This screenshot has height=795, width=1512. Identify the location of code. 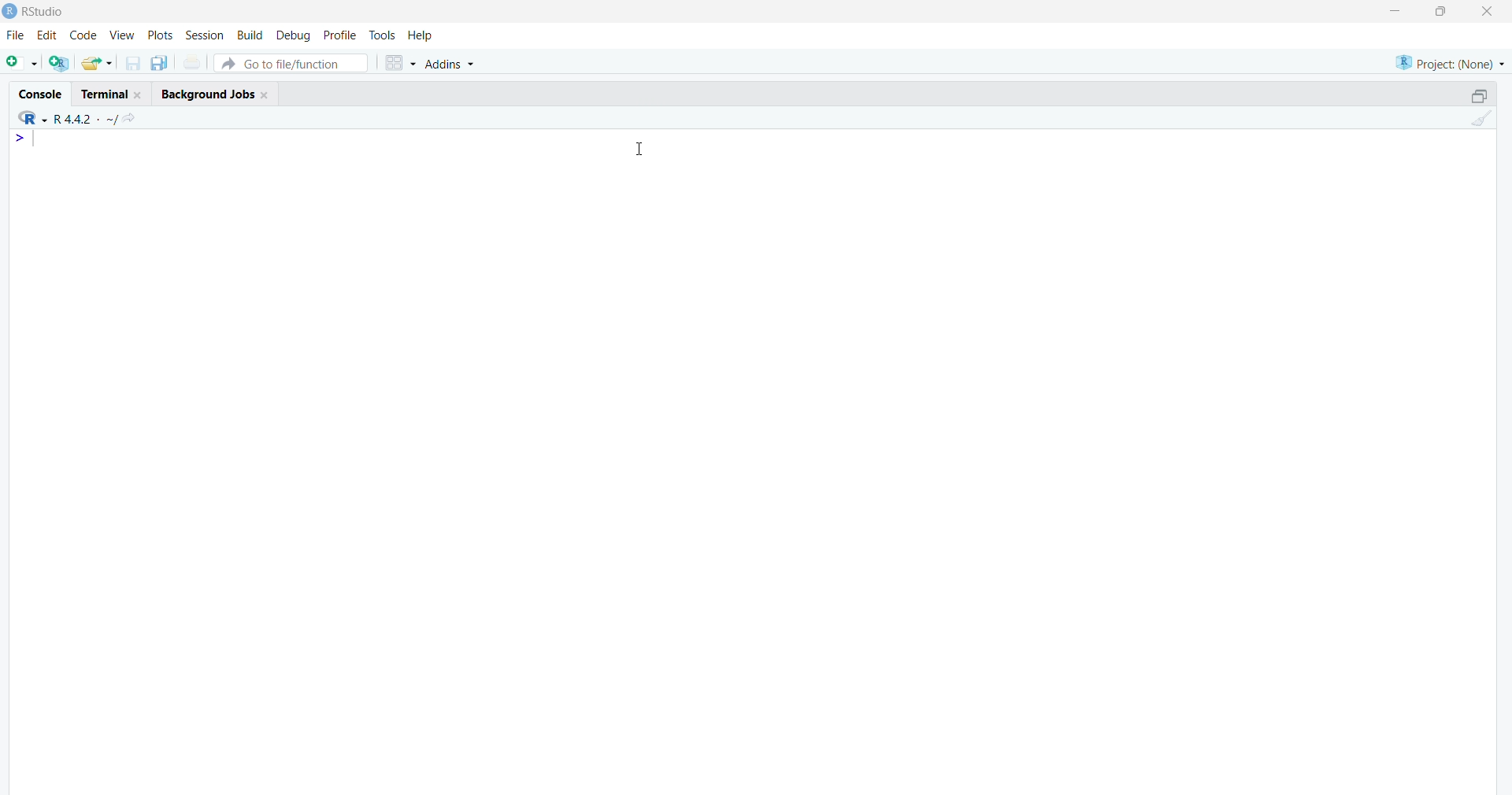
(83, 35).